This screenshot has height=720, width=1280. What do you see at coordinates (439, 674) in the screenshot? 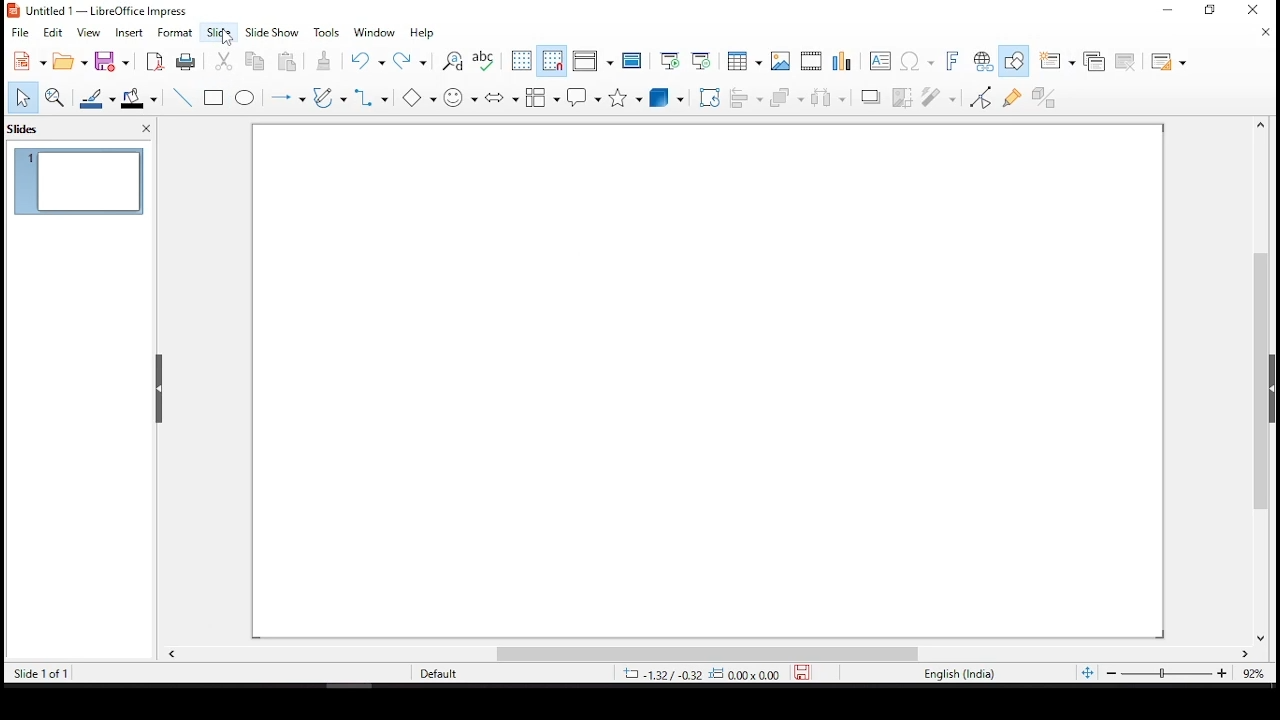
I see `default` at bounding box center [439, 674].